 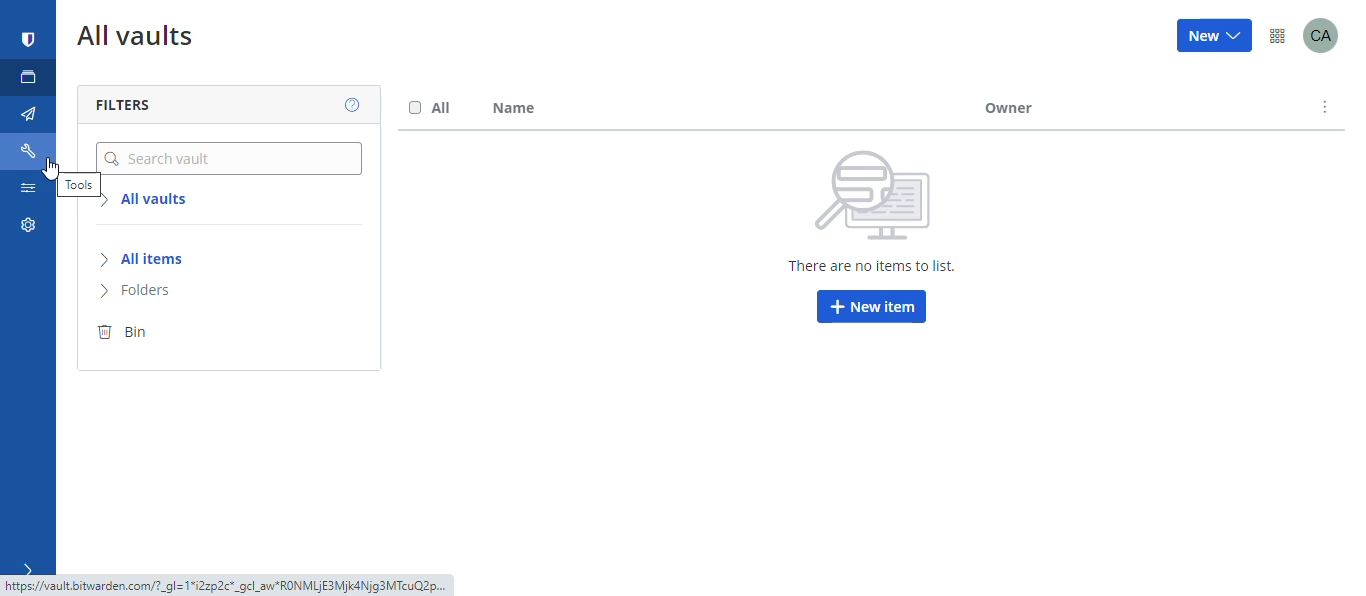 I want to click on Filters, so click(x=141, y=106).